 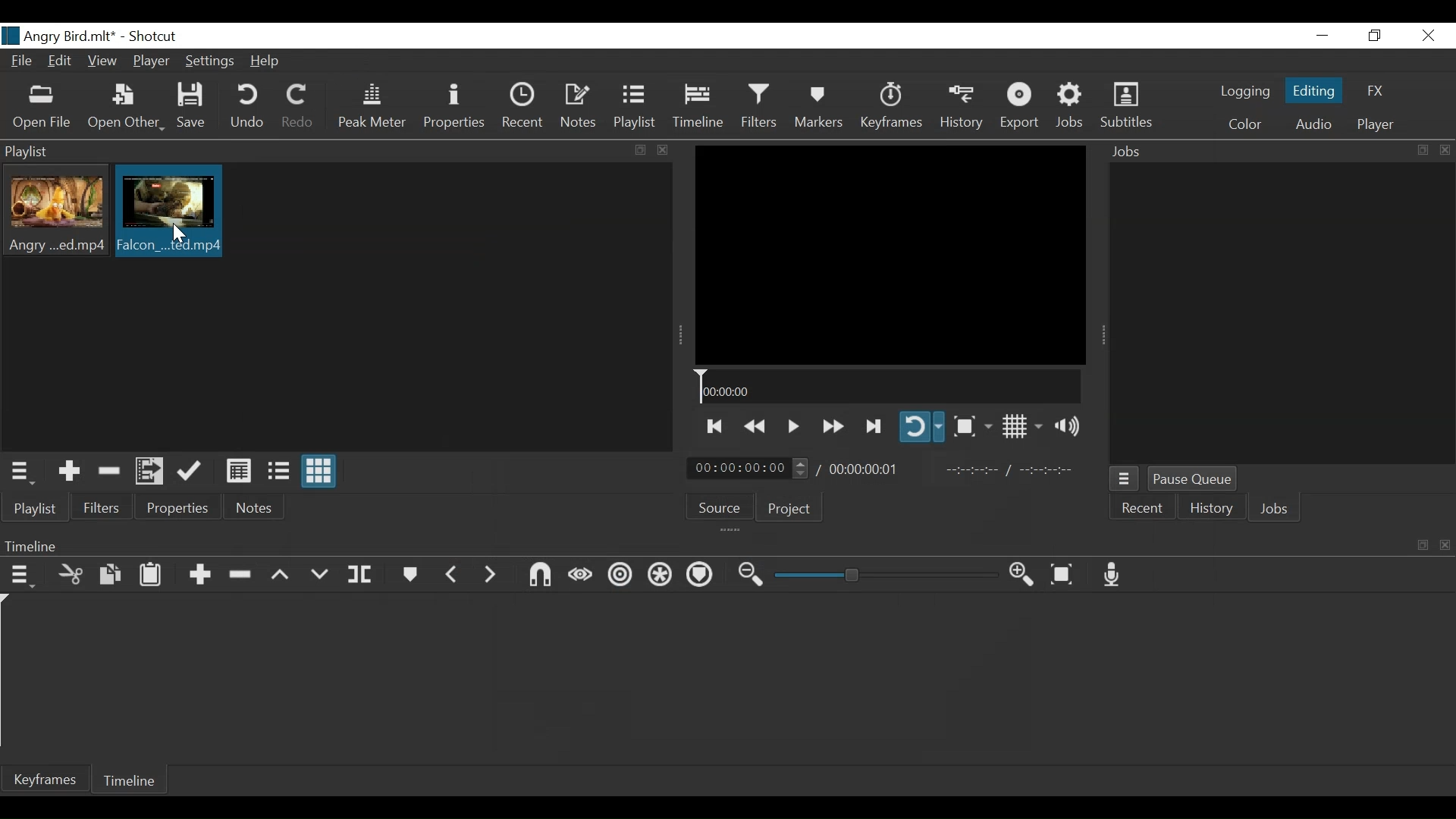 What do you see at coordinates (818, 106) in the screenshot?
I see `Markers` at bounding box center [818, 106].